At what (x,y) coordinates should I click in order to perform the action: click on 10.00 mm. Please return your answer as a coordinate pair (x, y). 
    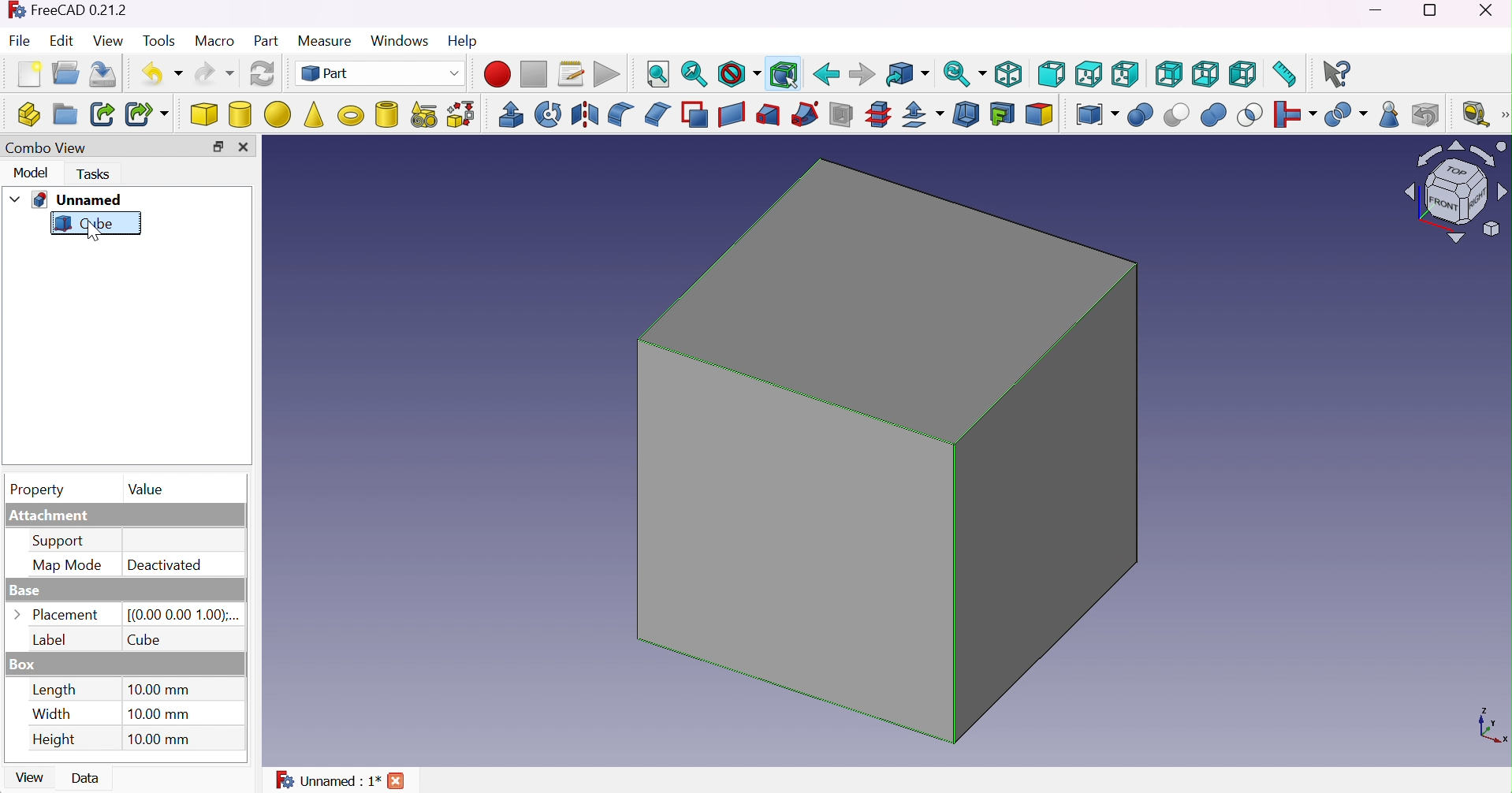
    Looking at the image, I should click on (160, 689).